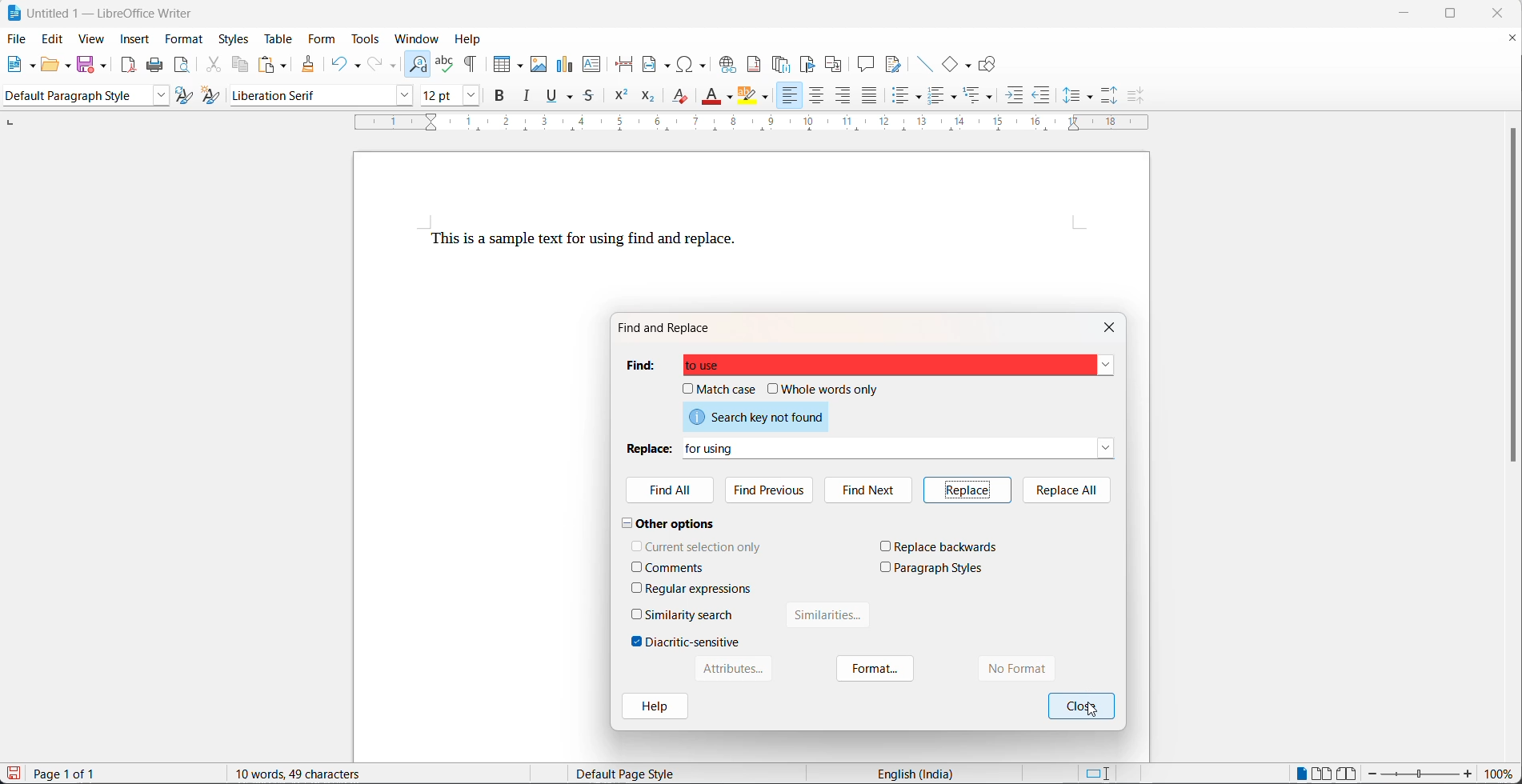 The height and width of the screenshot is (784, 1522). Describe the element at coordinates (1348, 773) in the screenshot. I see `book view` at that location.